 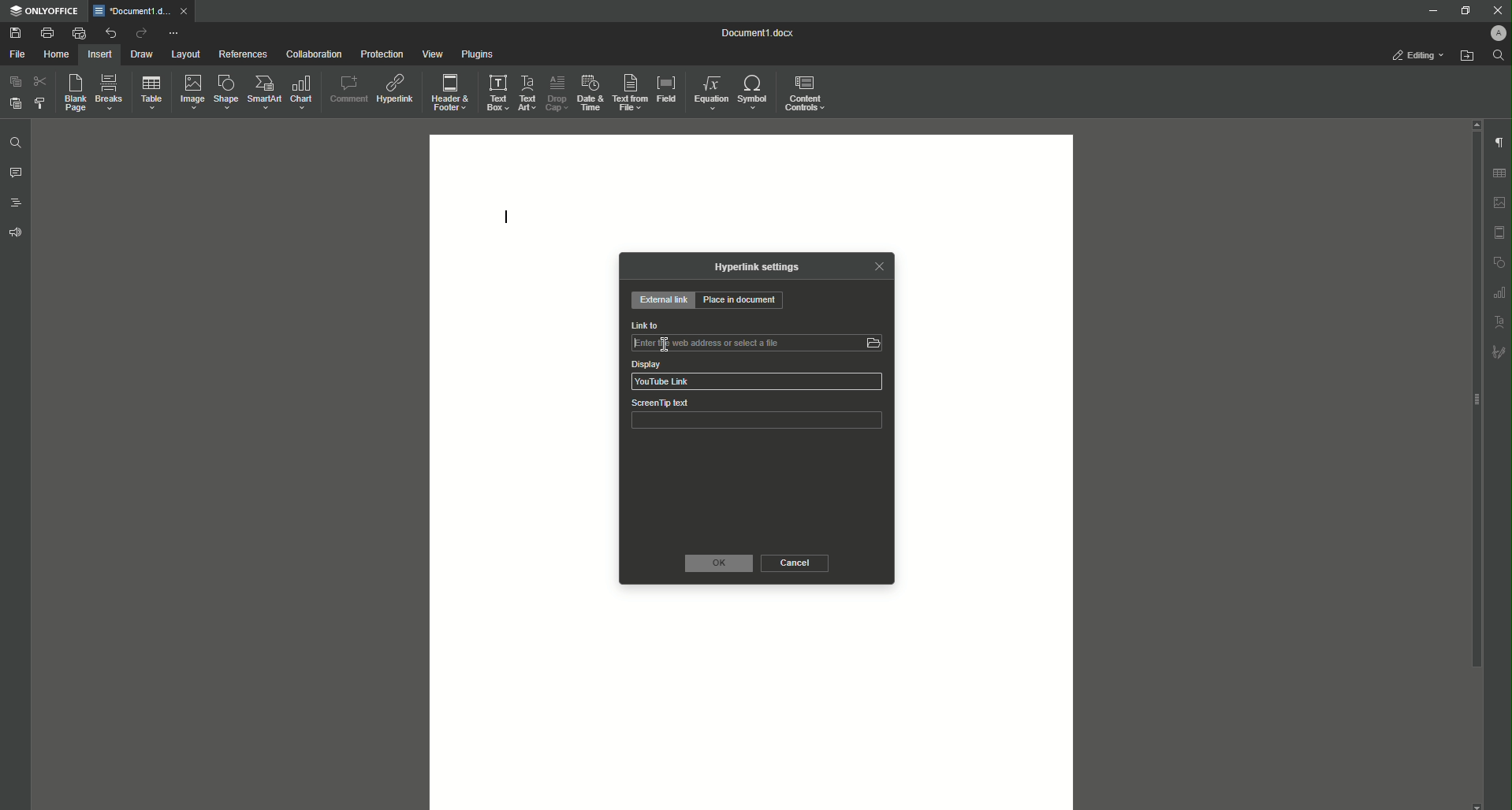 What do you see at coordinates (131, 11) in the screenshot?
I see `*Document1.docx` at bounding box center [131, 11].